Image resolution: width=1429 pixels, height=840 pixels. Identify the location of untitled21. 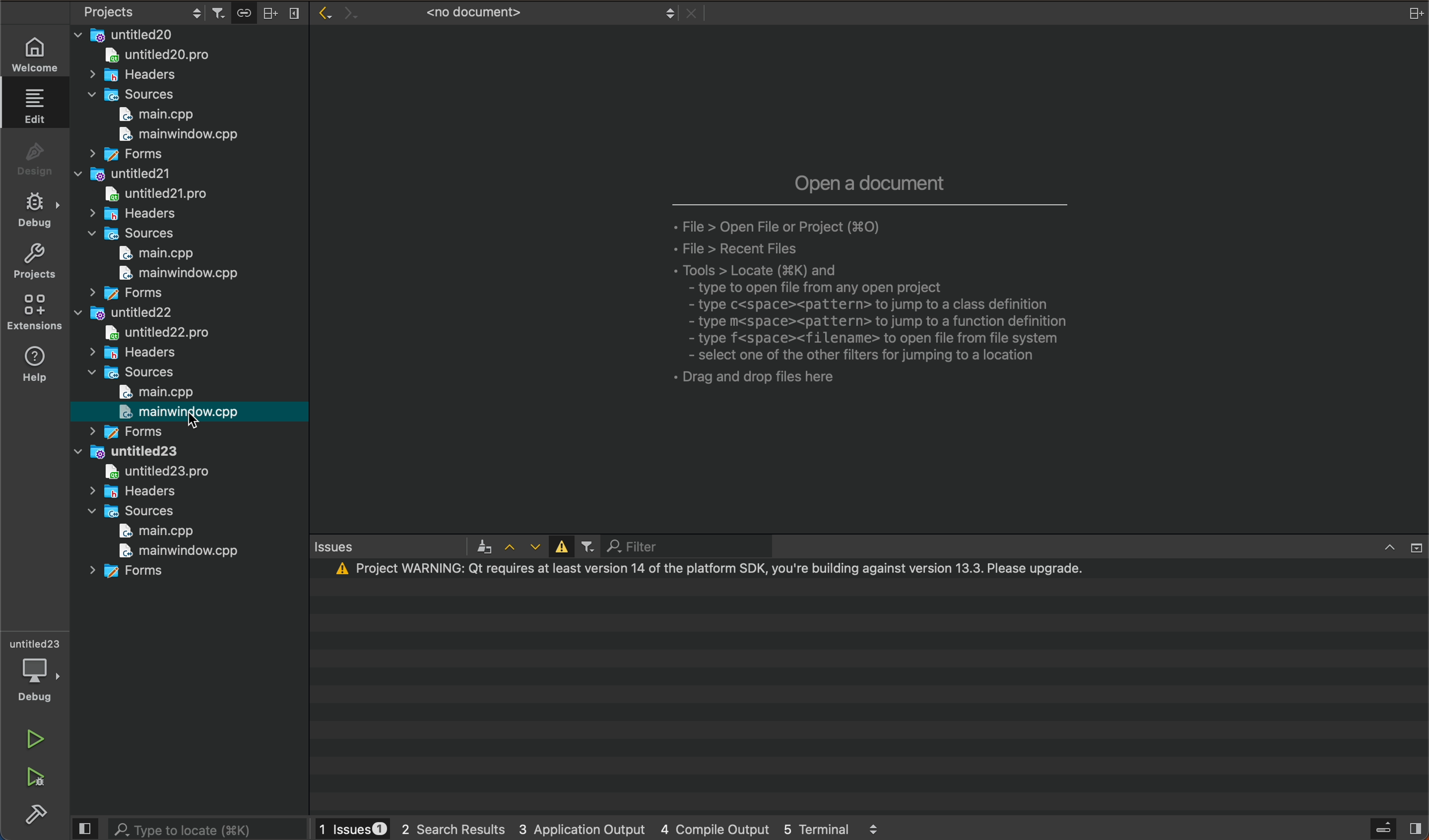
(122, 173).